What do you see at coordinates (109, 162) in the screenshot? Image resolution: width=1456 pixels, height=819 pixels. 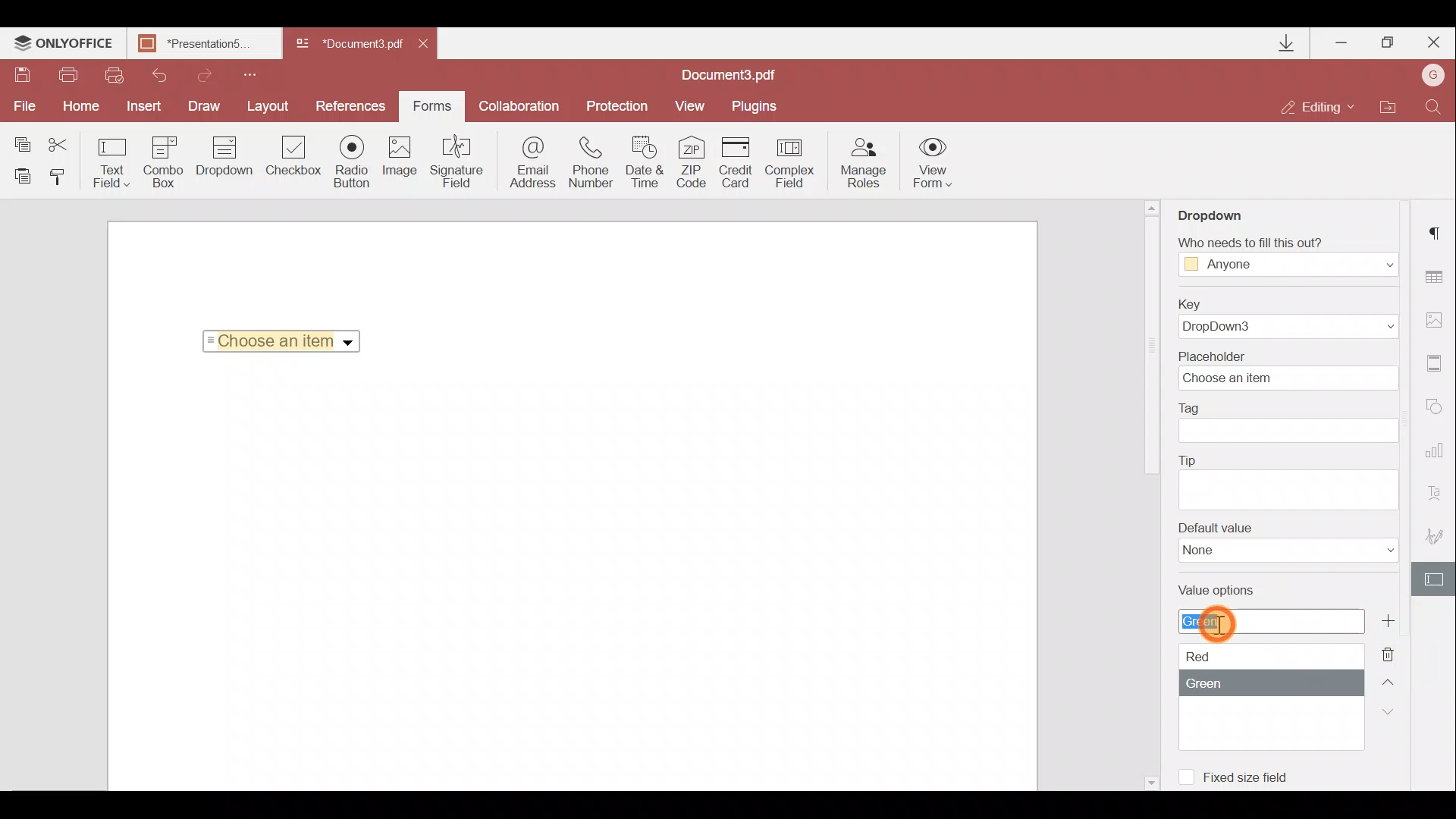 I see `Text field` at bounding box center [109, 162].